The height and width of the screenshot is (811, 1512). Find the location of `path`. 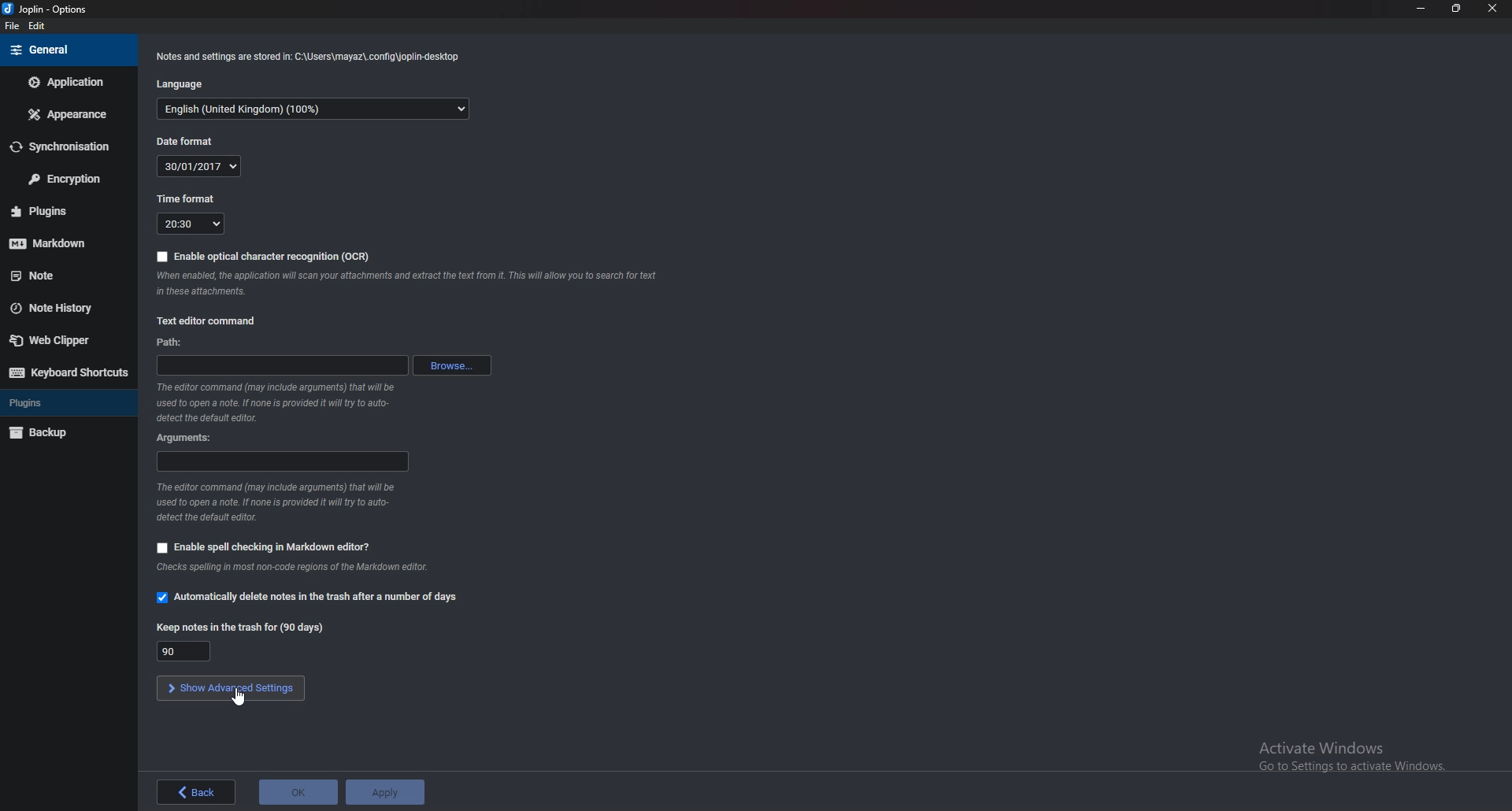

path is located at coordinates (174, 343).